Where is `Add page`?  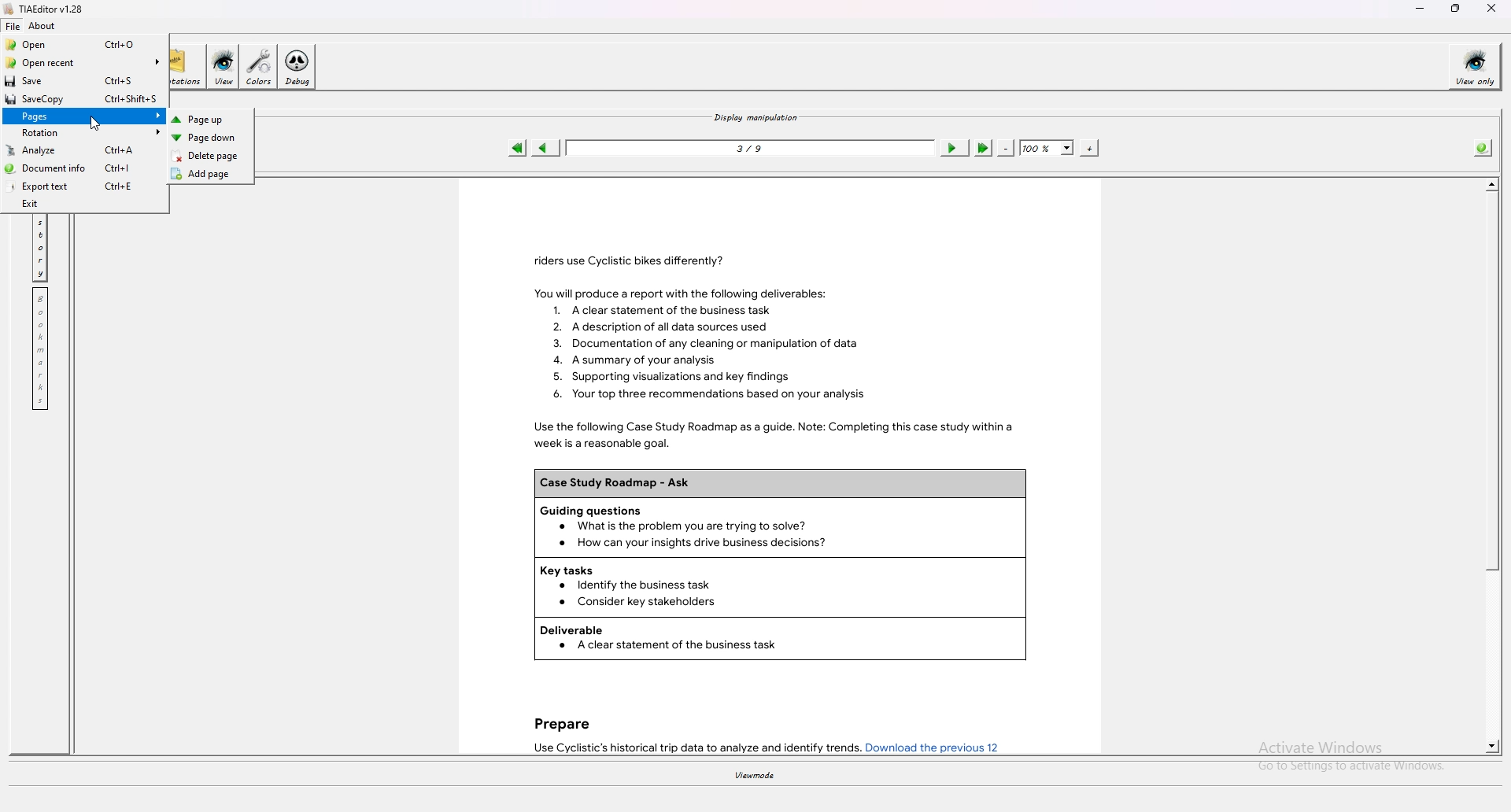
Add page is located at coordinates (203, 174).